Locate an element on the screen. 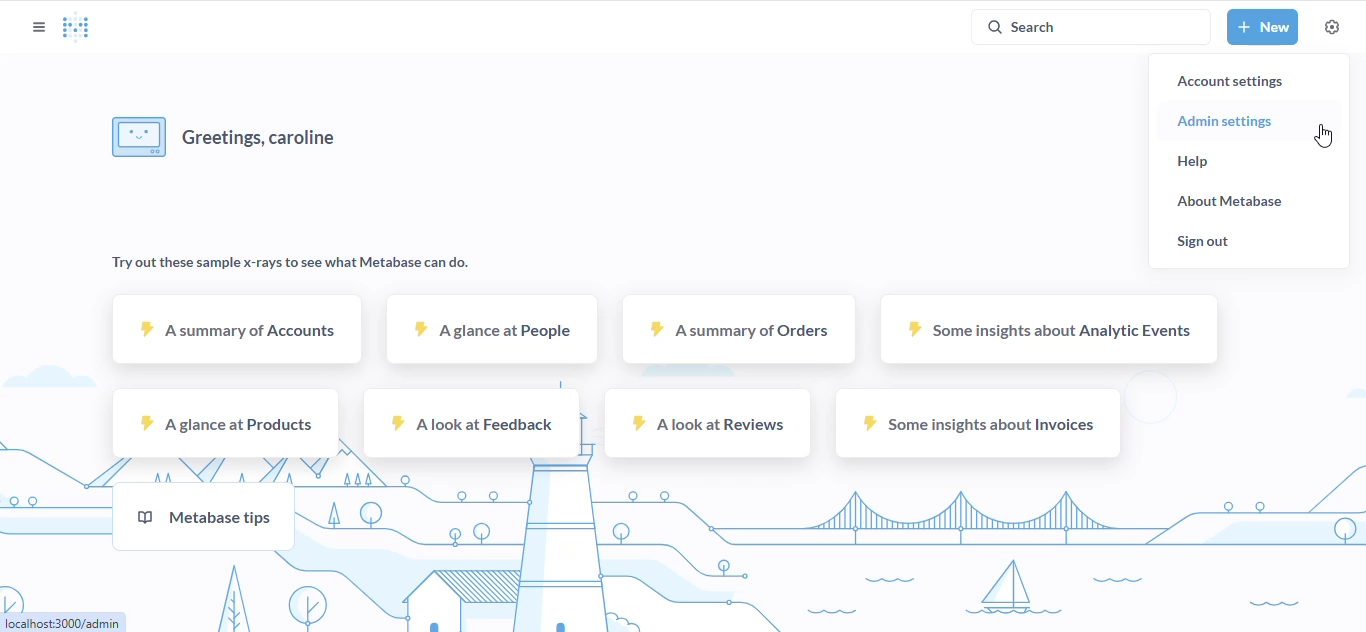  about metabase is located at coordinates (1229, 202).